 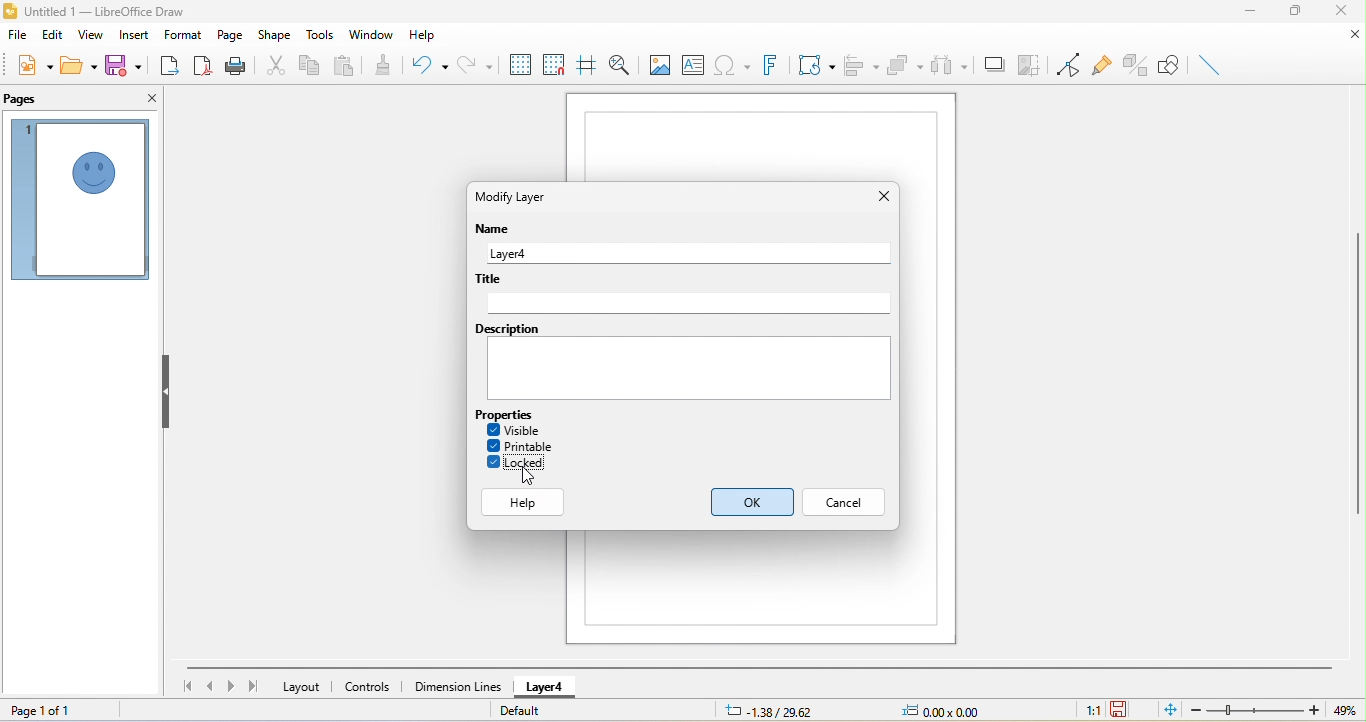 What do you see at coordinates (1165, 710) in the screenshot?
I see `fit to the current window` at bounding box center [1165, 710].